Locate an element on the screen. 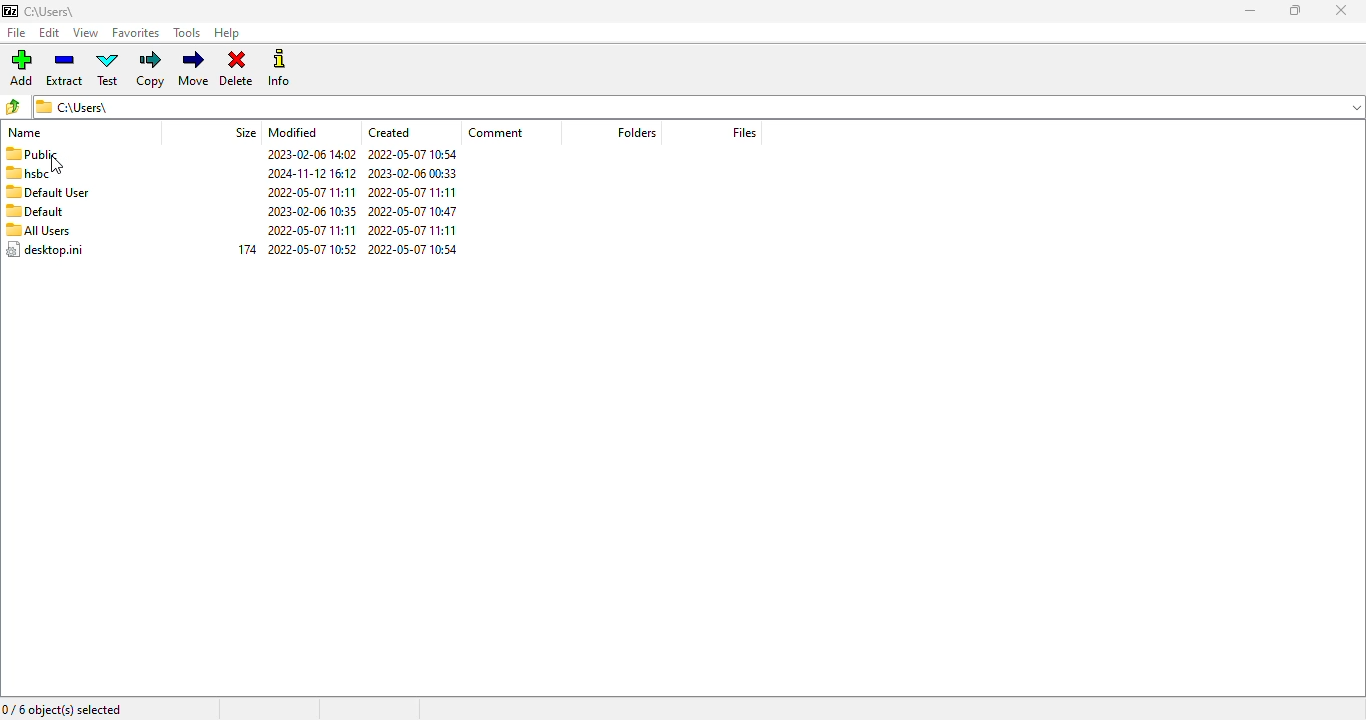  tools is located at coordinates (188, 32).